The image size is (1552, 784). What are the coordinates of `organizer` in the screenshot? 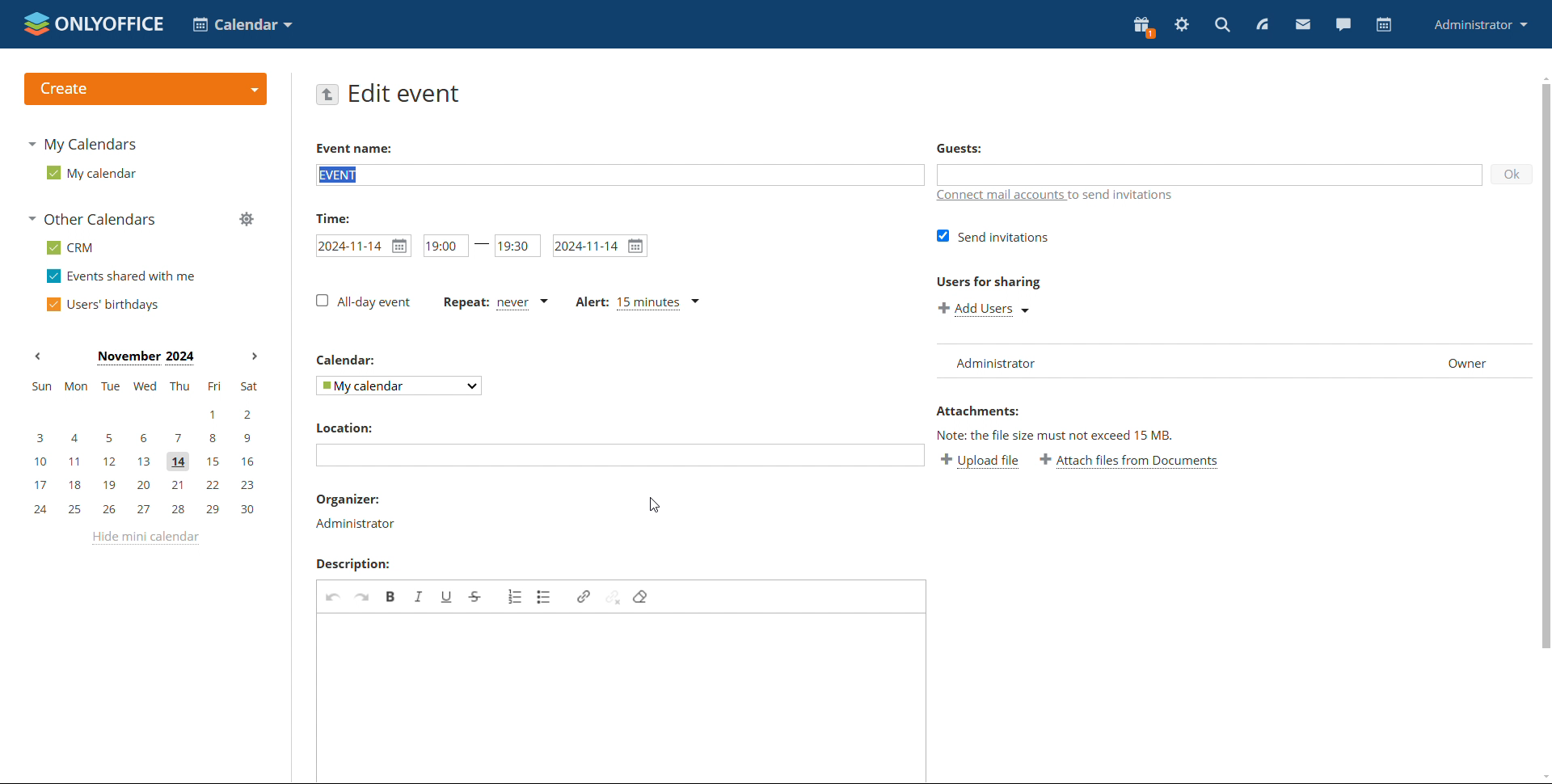 It's located at (357, 499).